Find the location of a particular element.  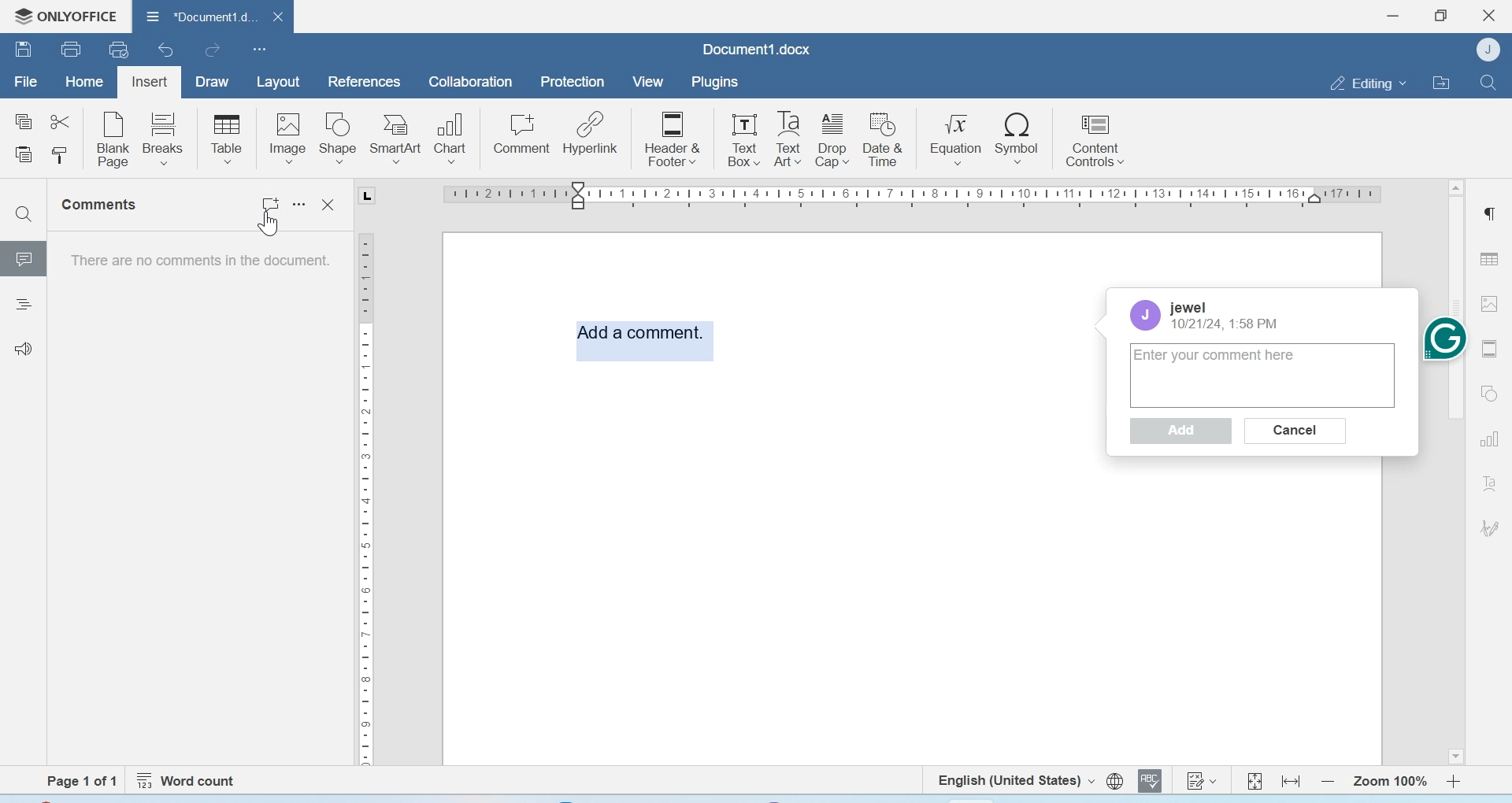

Zoom is located at coordinates (1388, 782).